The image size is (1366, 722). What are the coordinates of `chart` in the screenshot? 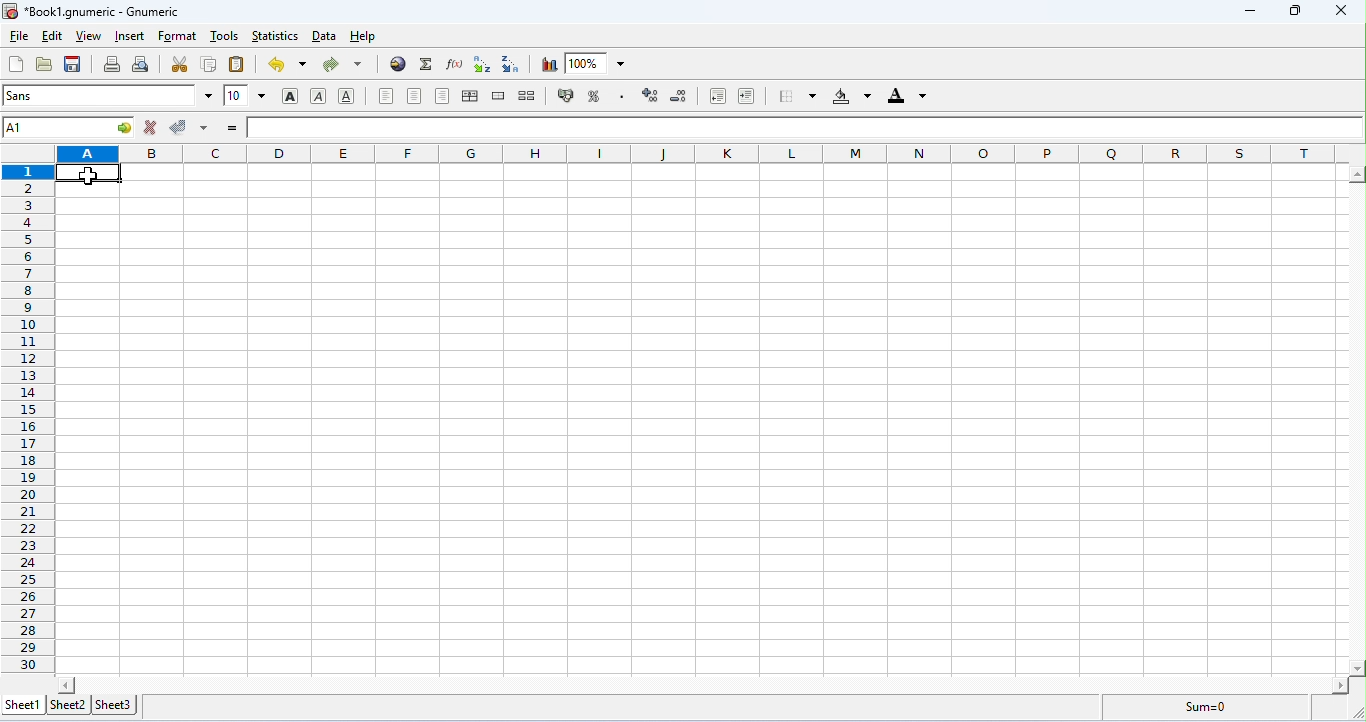 It's located at (549, 65).